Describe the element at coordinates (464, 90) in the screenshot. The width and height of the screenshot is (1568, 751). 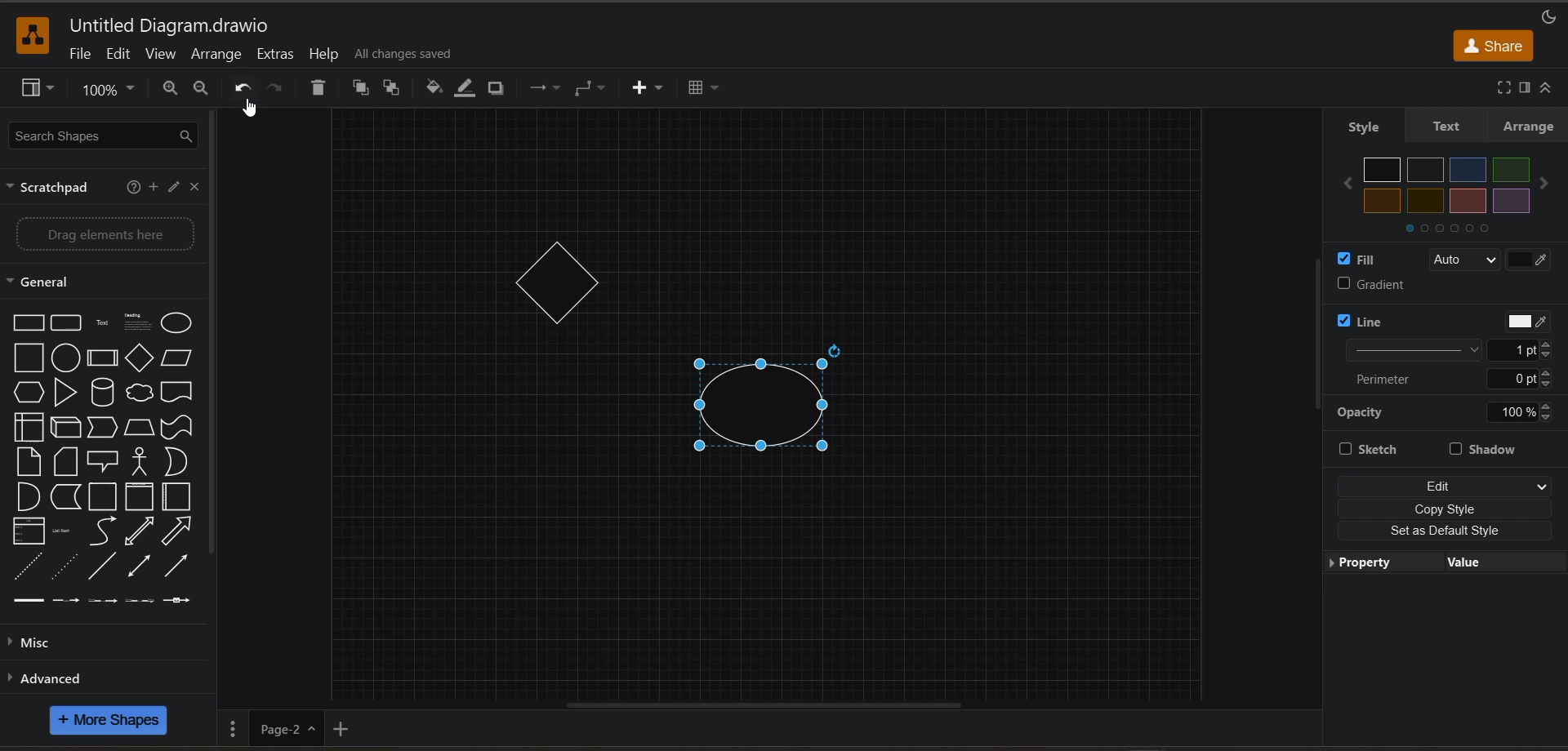
I see `line color` at that location.